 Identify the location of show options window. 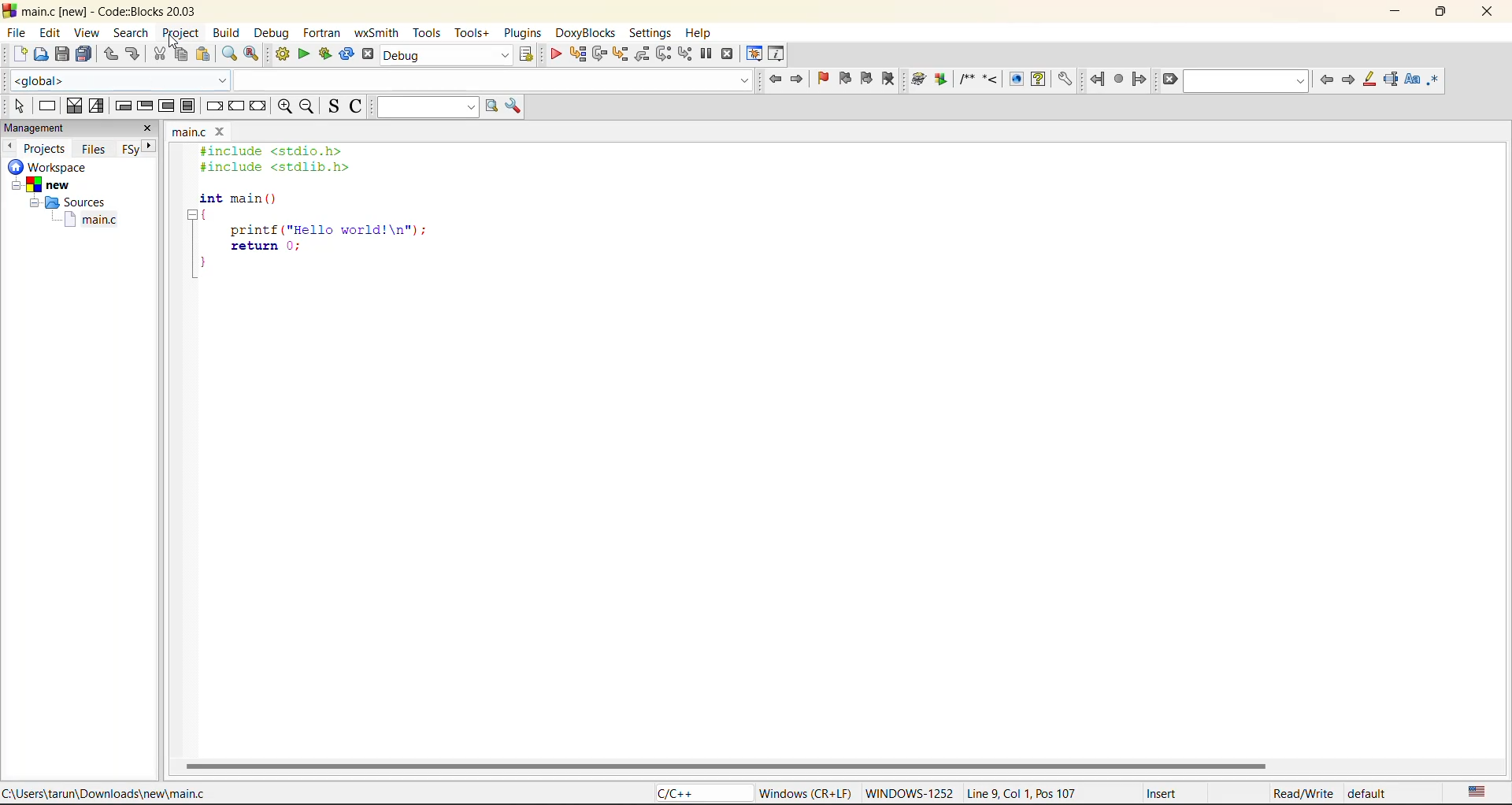
(514, 106).